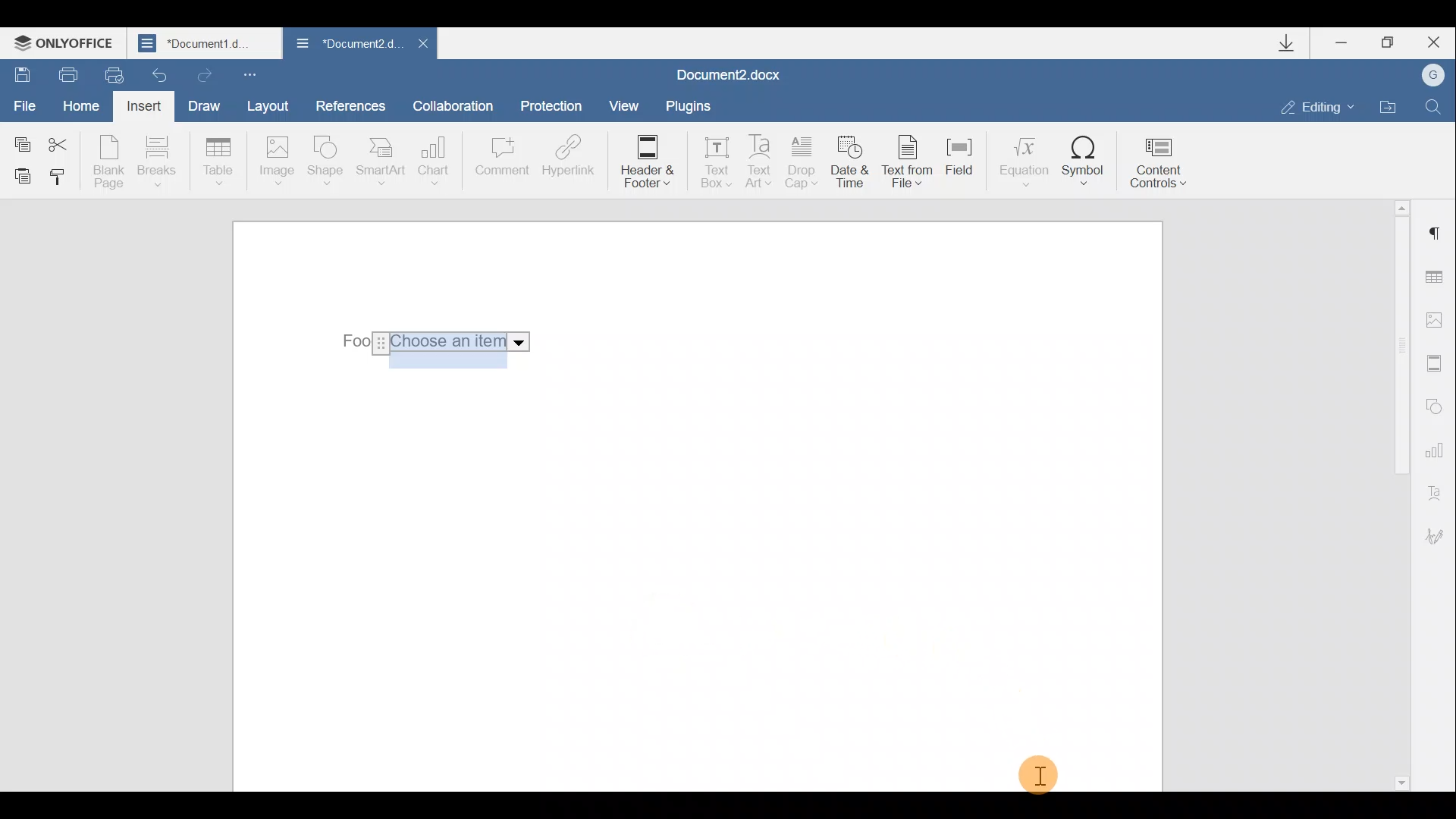 The image size is (1456, 819). What do you see at coordinates (1439, 490) in the screenshot?
I see `Text Art settings` at bounding box center [1439, 490].